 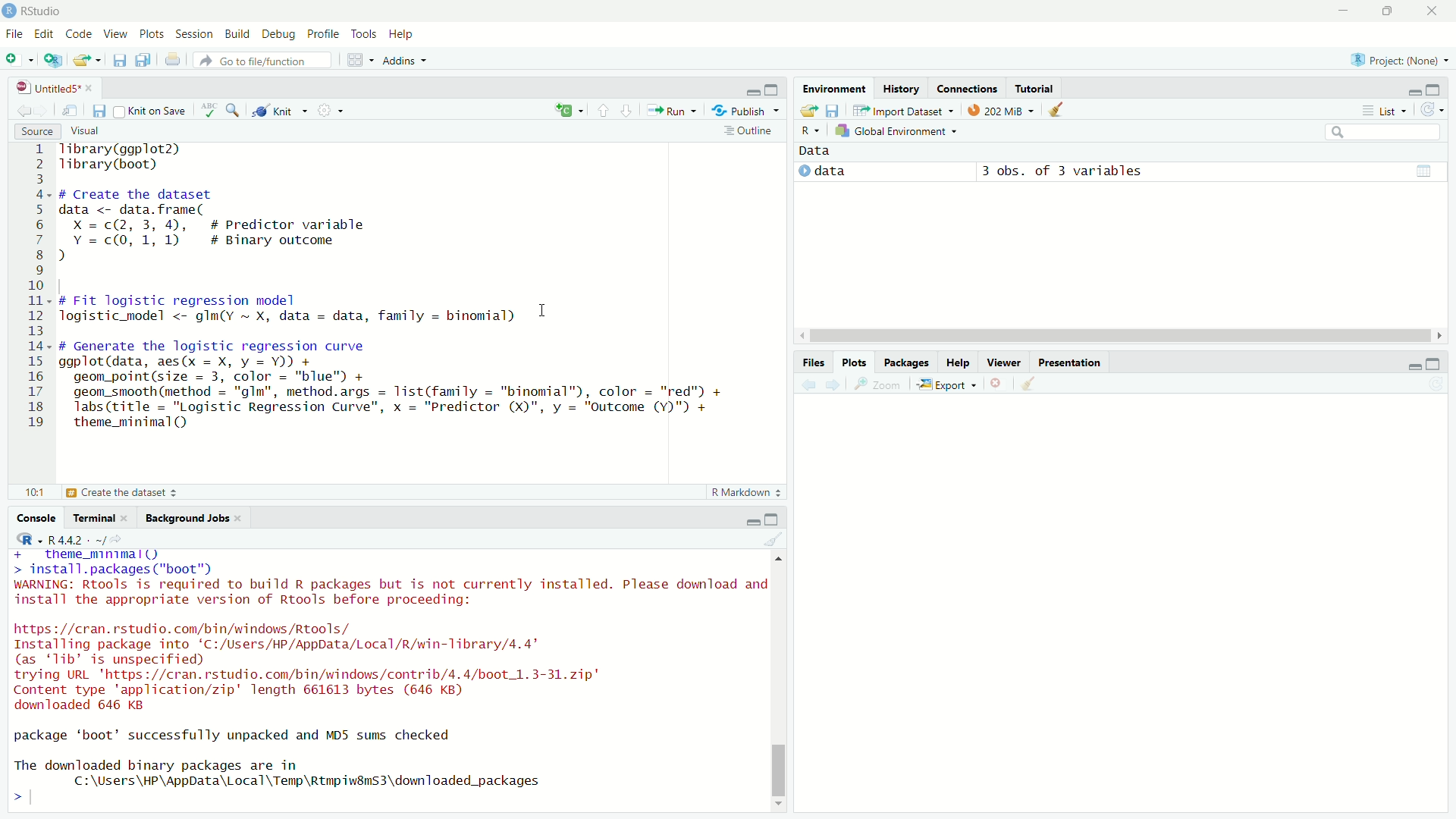 What do you see at coordinates (143, 58) in the screenshot?
I see `Save all open documents` at bounding box center [143, 58].